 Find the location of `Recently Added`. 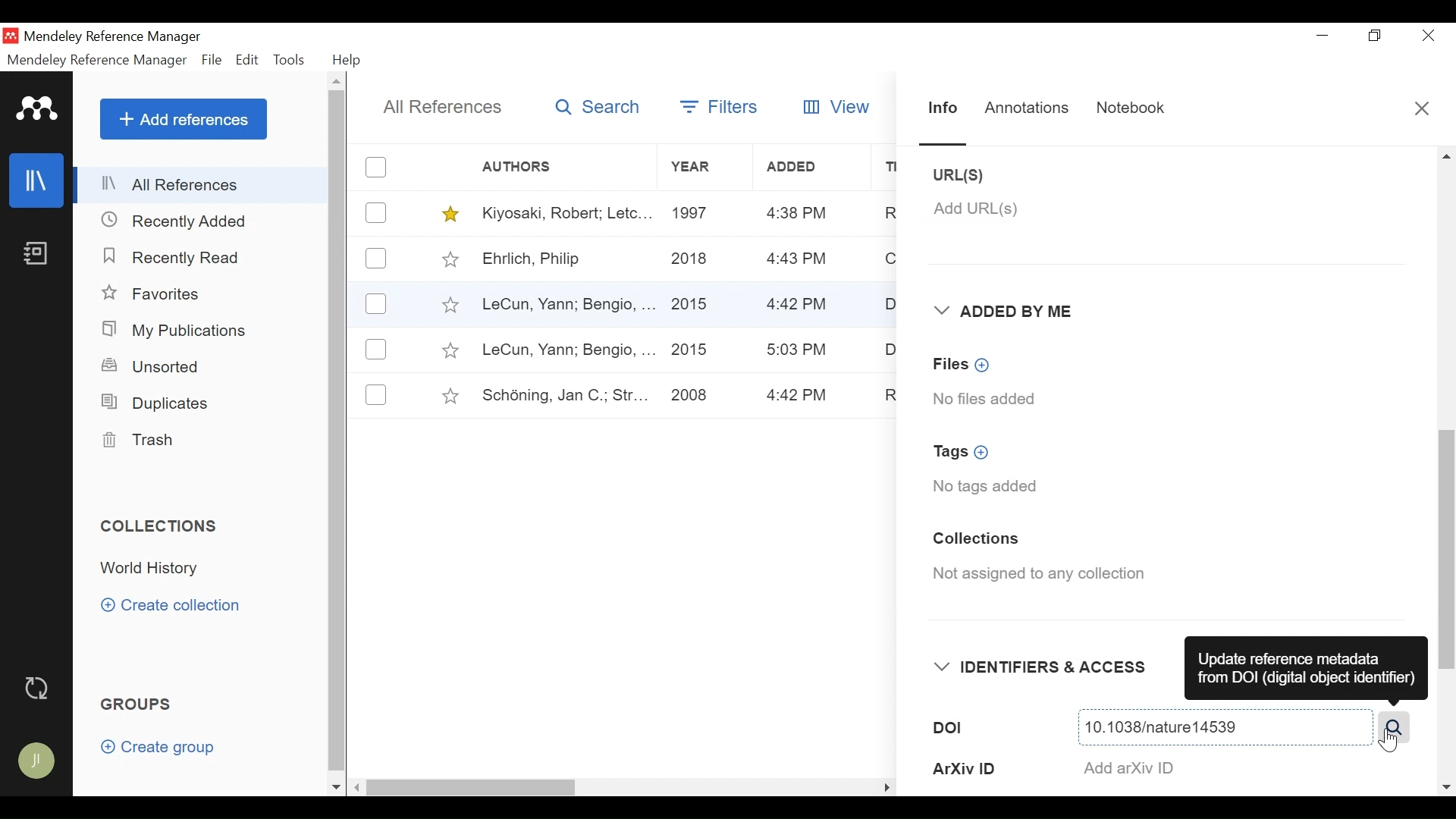

Recently Added is located at coordinates (181, 220).